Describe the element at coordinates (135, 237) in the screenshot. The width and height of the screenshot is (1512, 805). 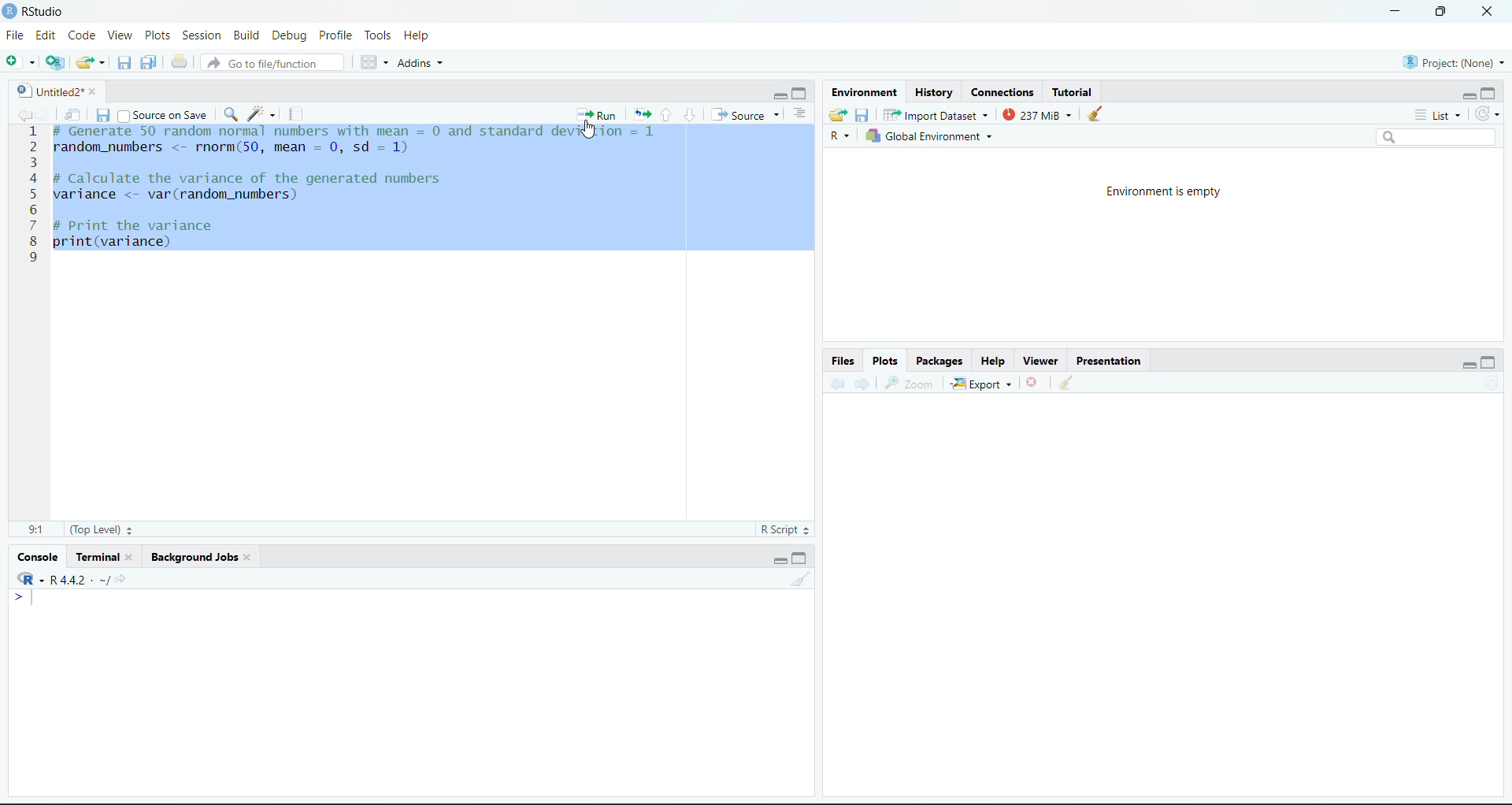
I see `# Print the variance
print(variance)` at that location.